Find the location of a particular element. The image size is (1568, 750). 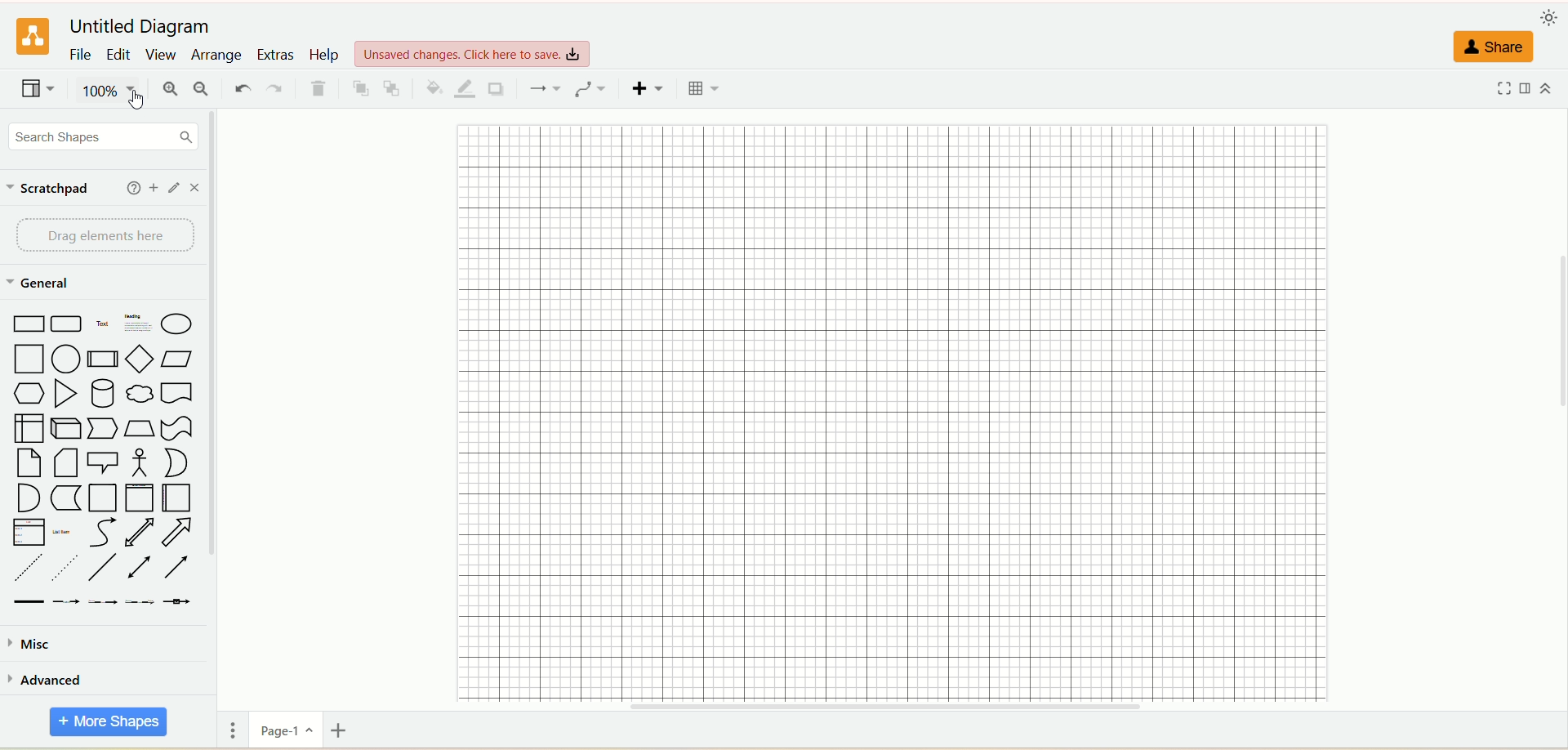

actor is located at coordinates (136, 461).